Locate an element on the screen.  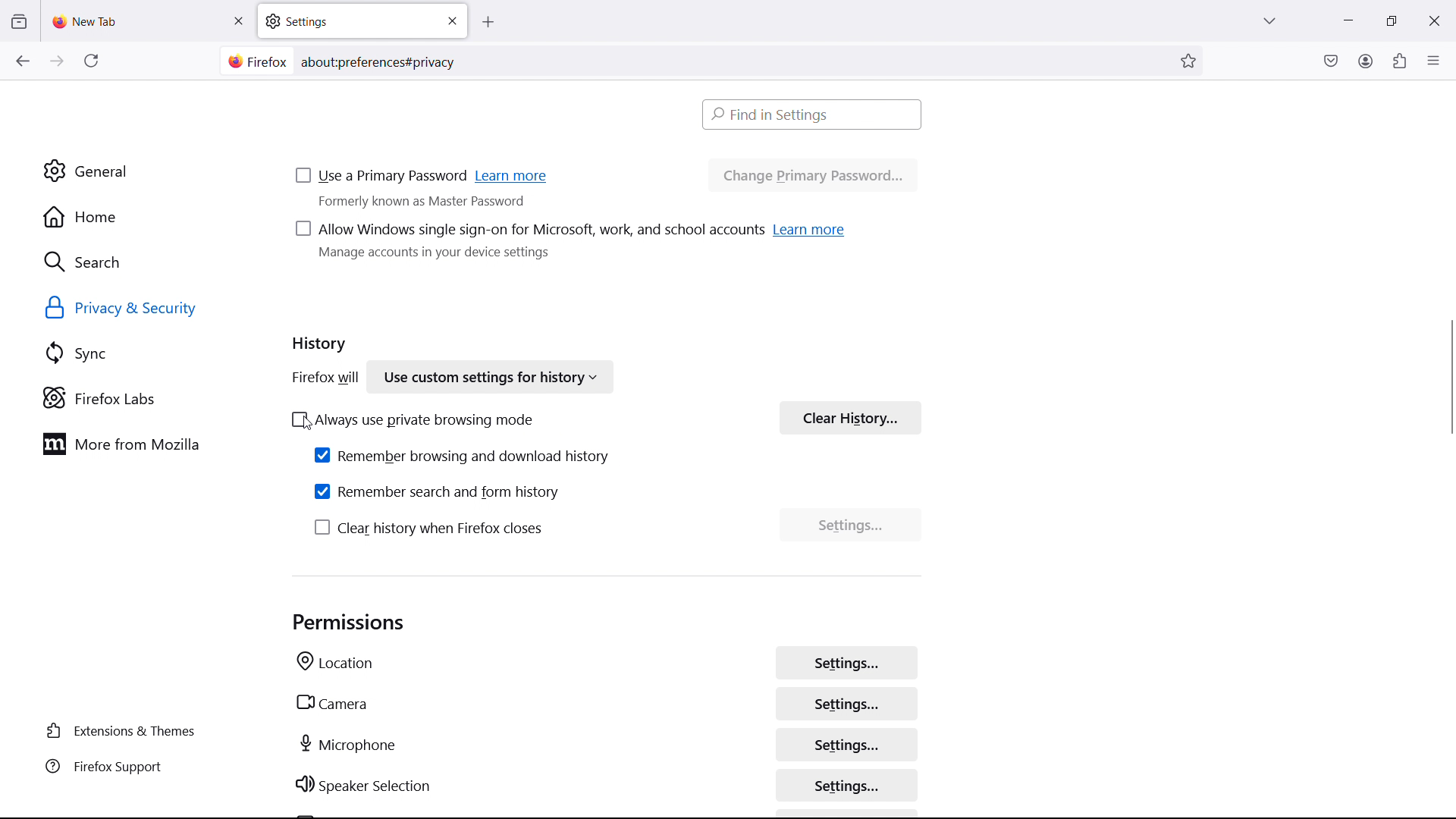
search is located at coordinates (146, 261).